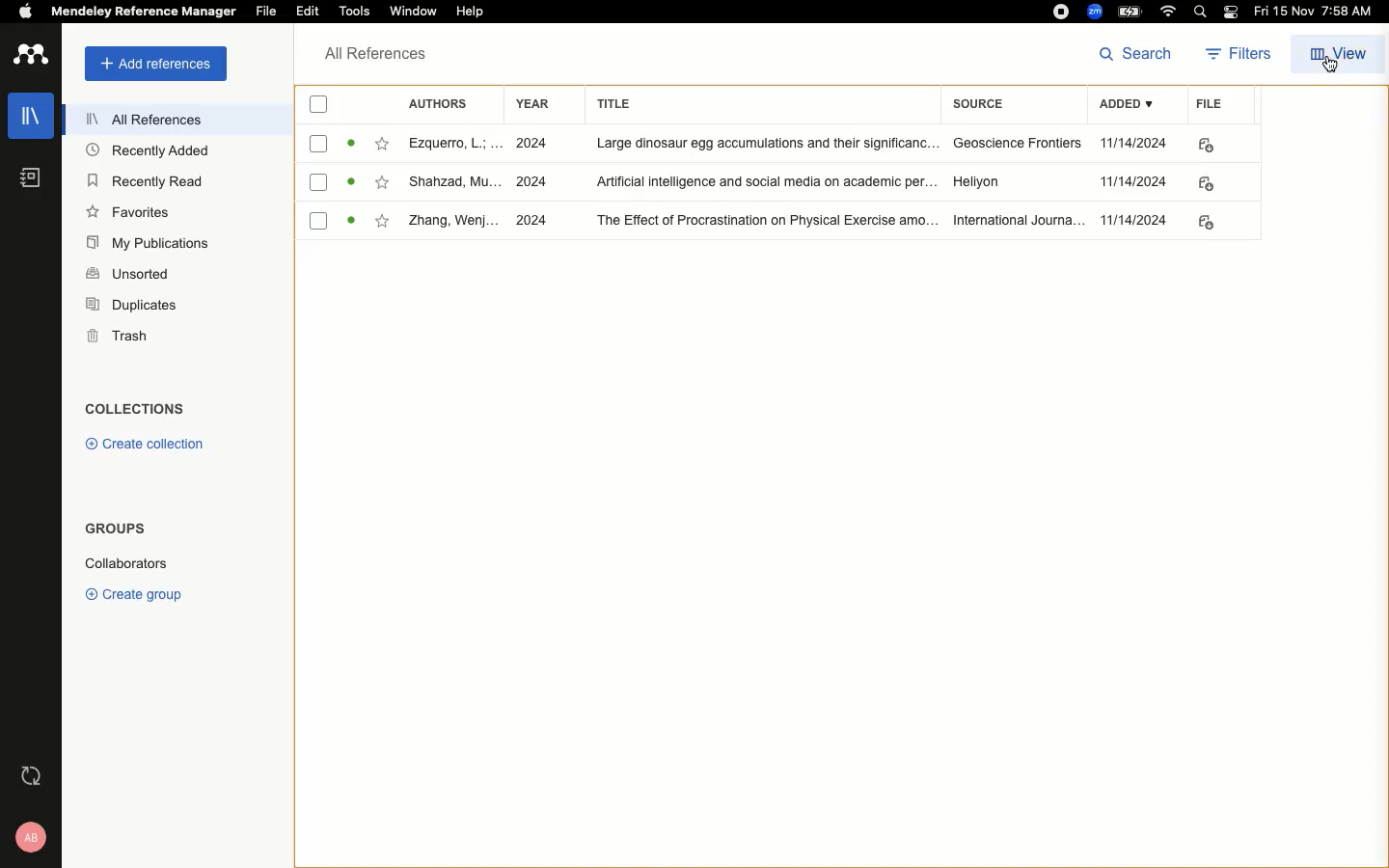 This screenshot has width=1389, height=868. What do you see at coordinates (316, 220) in the screenshot?
I see `Checkbox` at bounding box center [316, 220].